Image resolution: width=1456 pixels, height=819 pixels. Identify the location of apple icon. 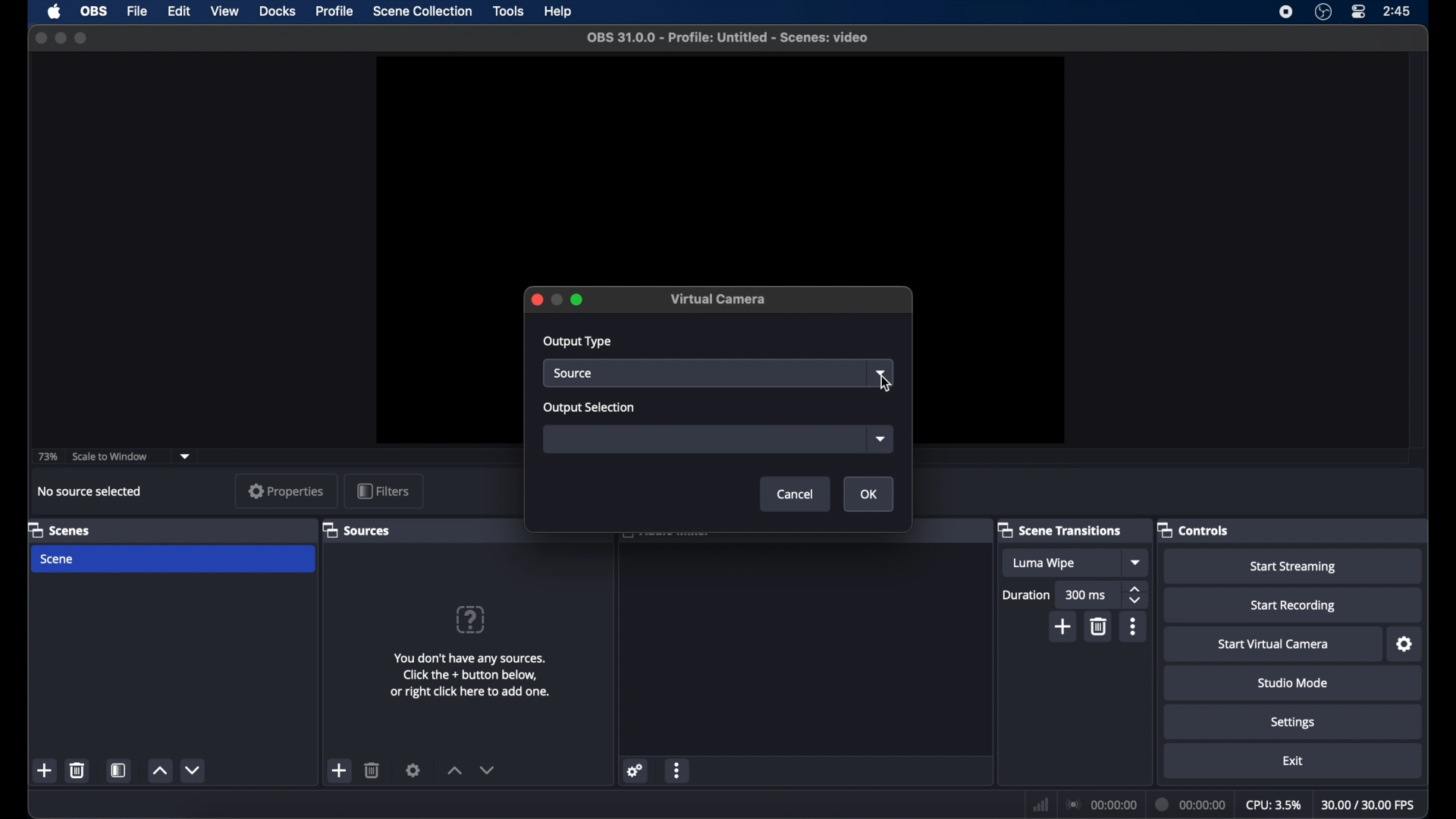
(55, 11).